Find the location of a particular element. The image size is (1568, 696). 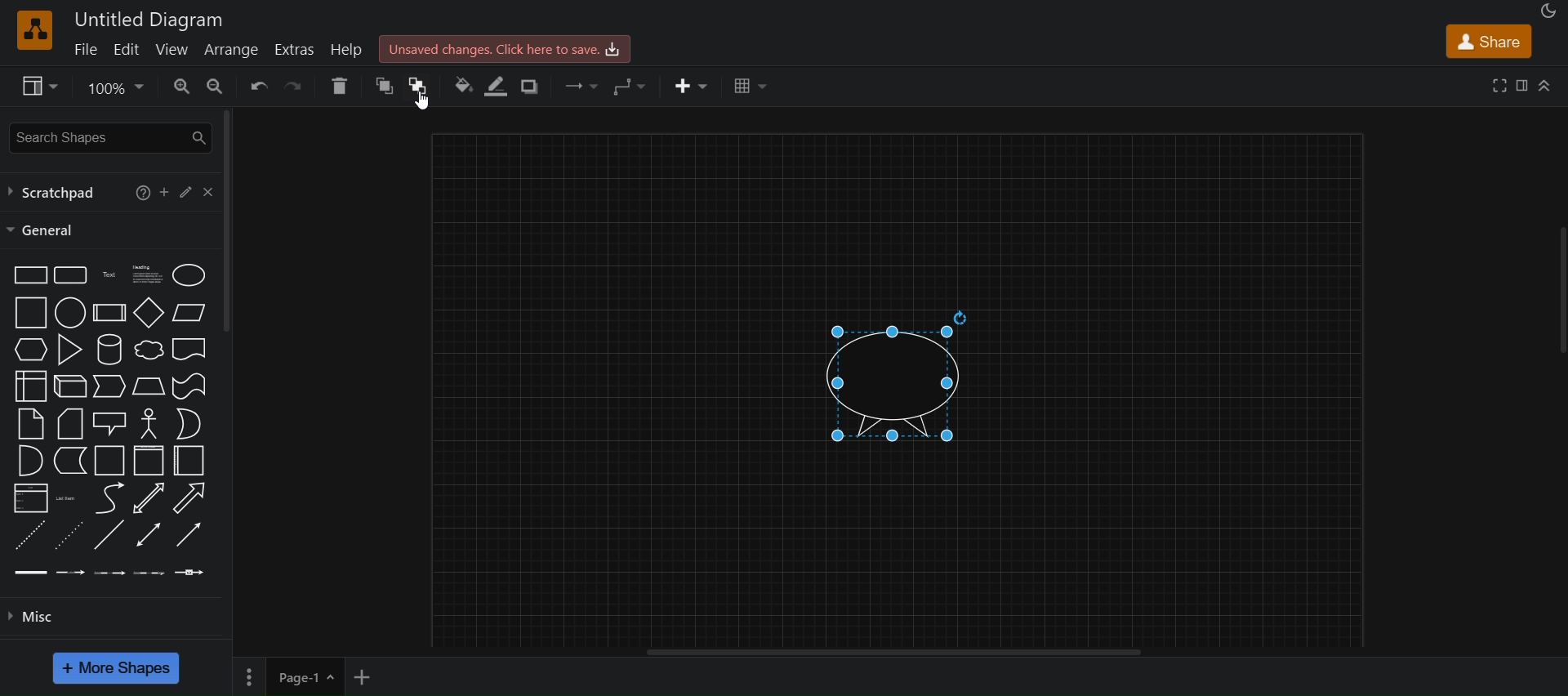

general is located at coordinates (45, 231).